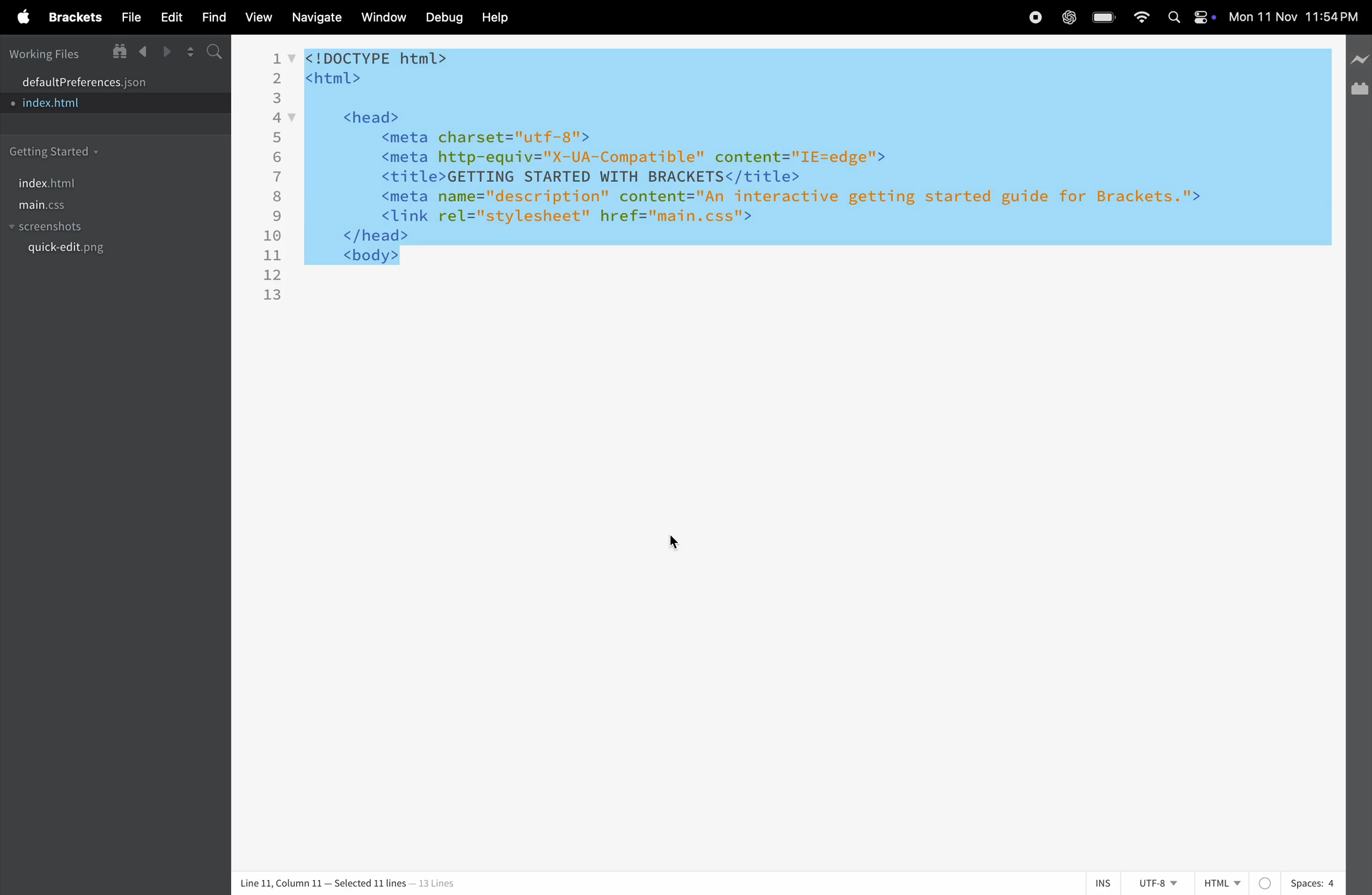  Describe the element at coordinates (278, 217) in the screenshot. I see `9` at that location.